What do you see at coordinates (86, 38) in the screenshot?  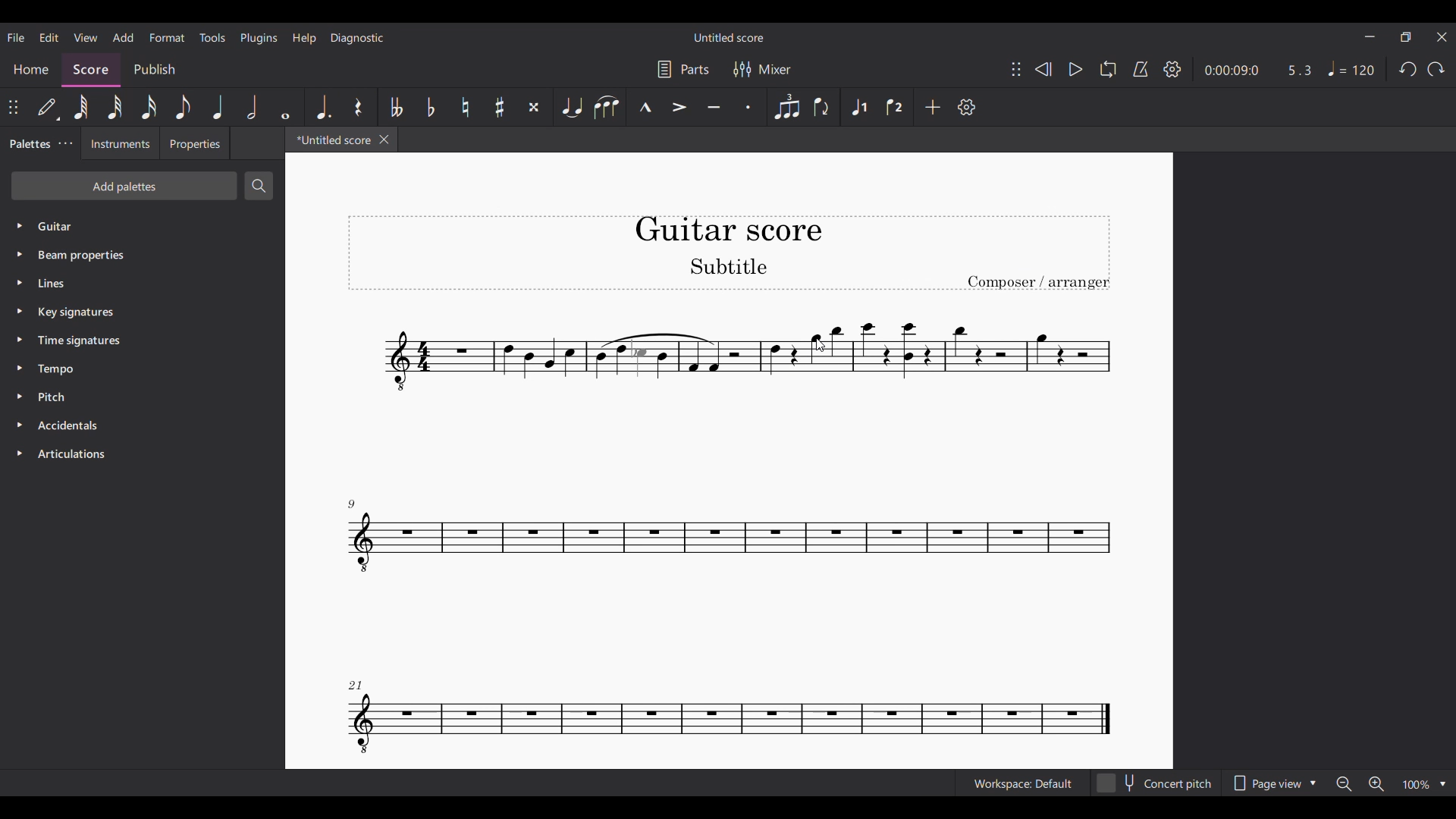 I see `View menu` at bounding box center [86, 38].